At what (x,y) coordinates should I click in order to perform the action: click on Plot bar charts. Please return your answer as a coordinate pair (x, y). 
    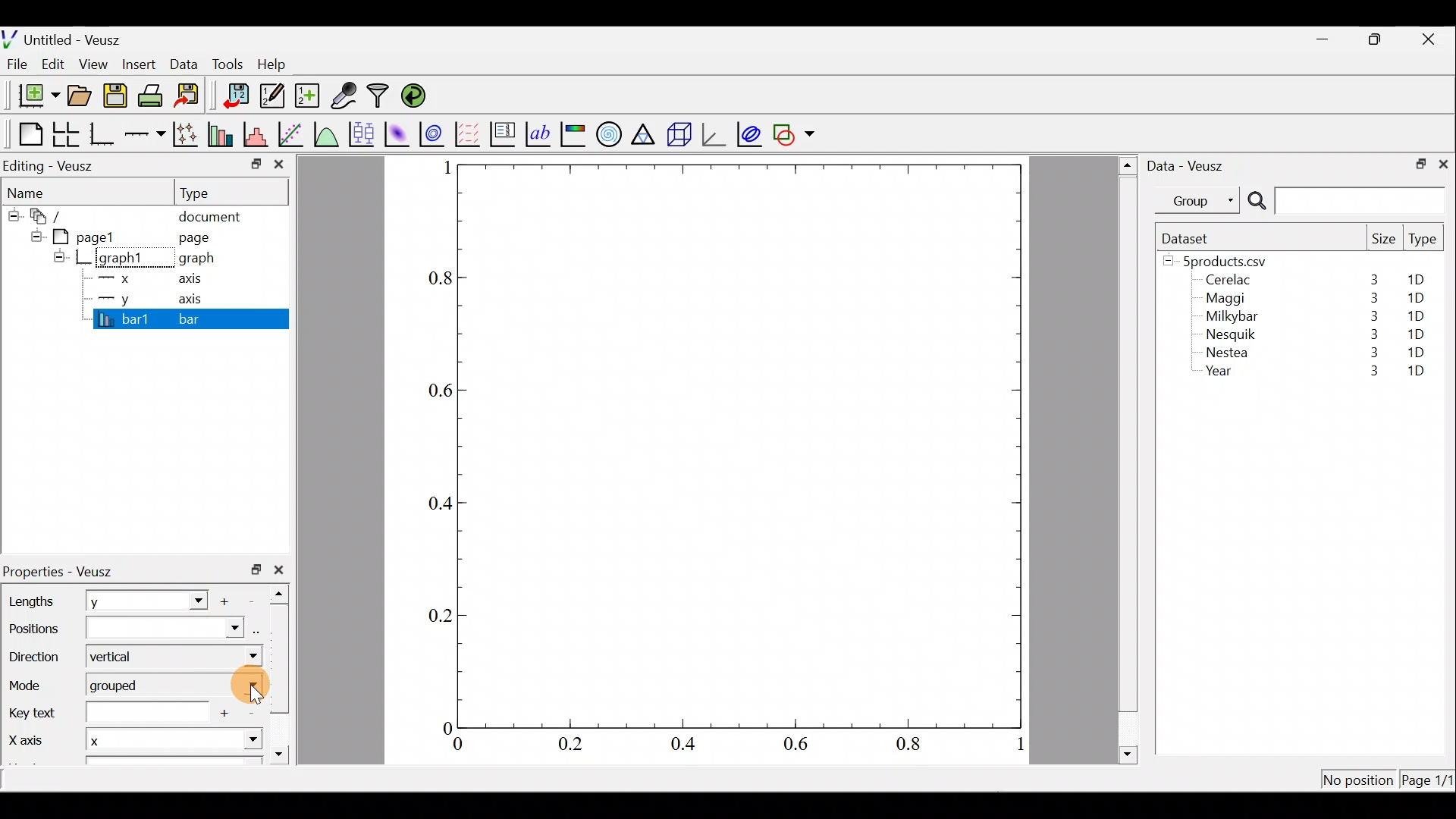
    Looking at the image, I should click on (222, 133).